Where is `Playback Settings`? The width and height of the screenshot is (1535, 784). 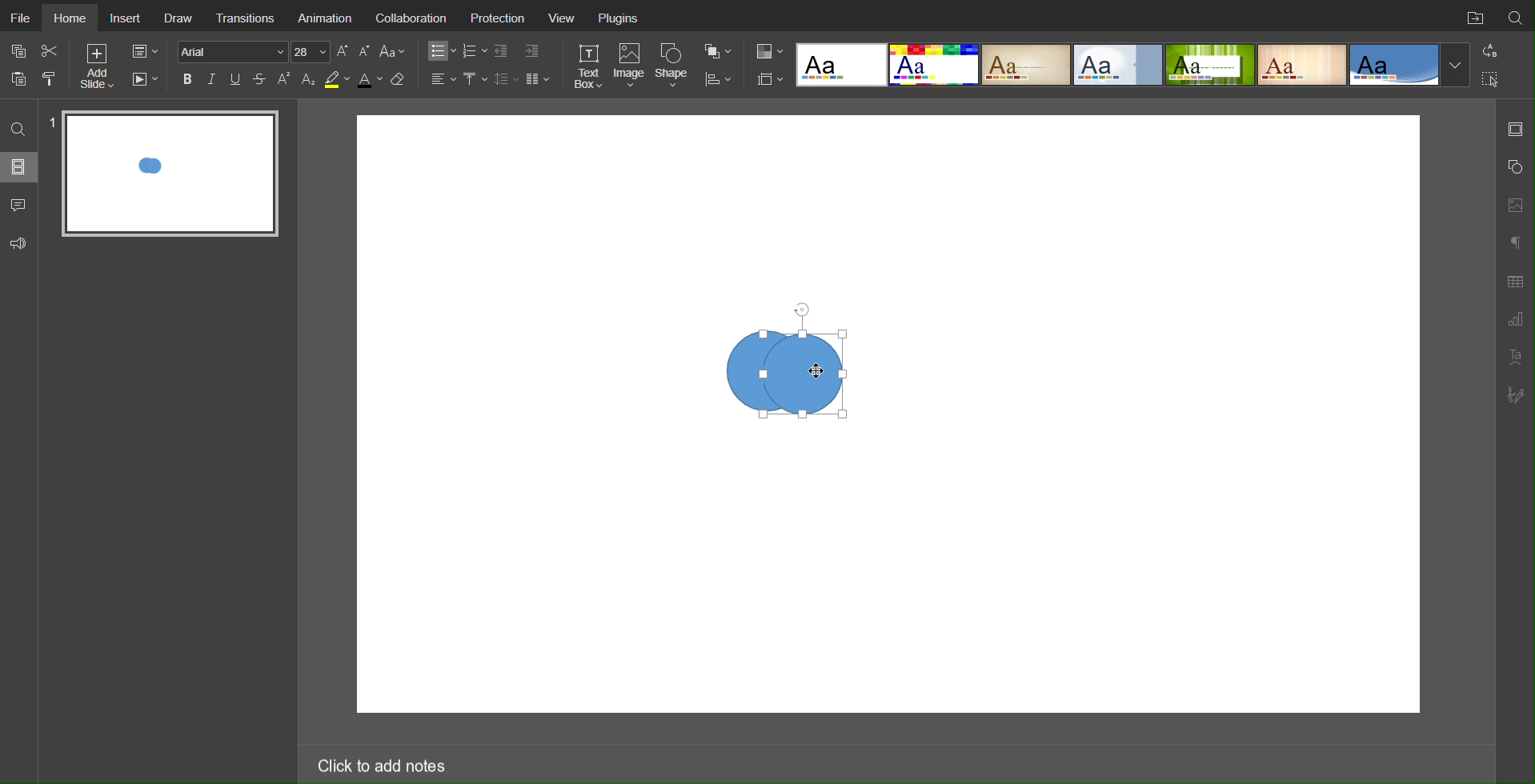 Playback Settings is located at coordinates (145, 79).